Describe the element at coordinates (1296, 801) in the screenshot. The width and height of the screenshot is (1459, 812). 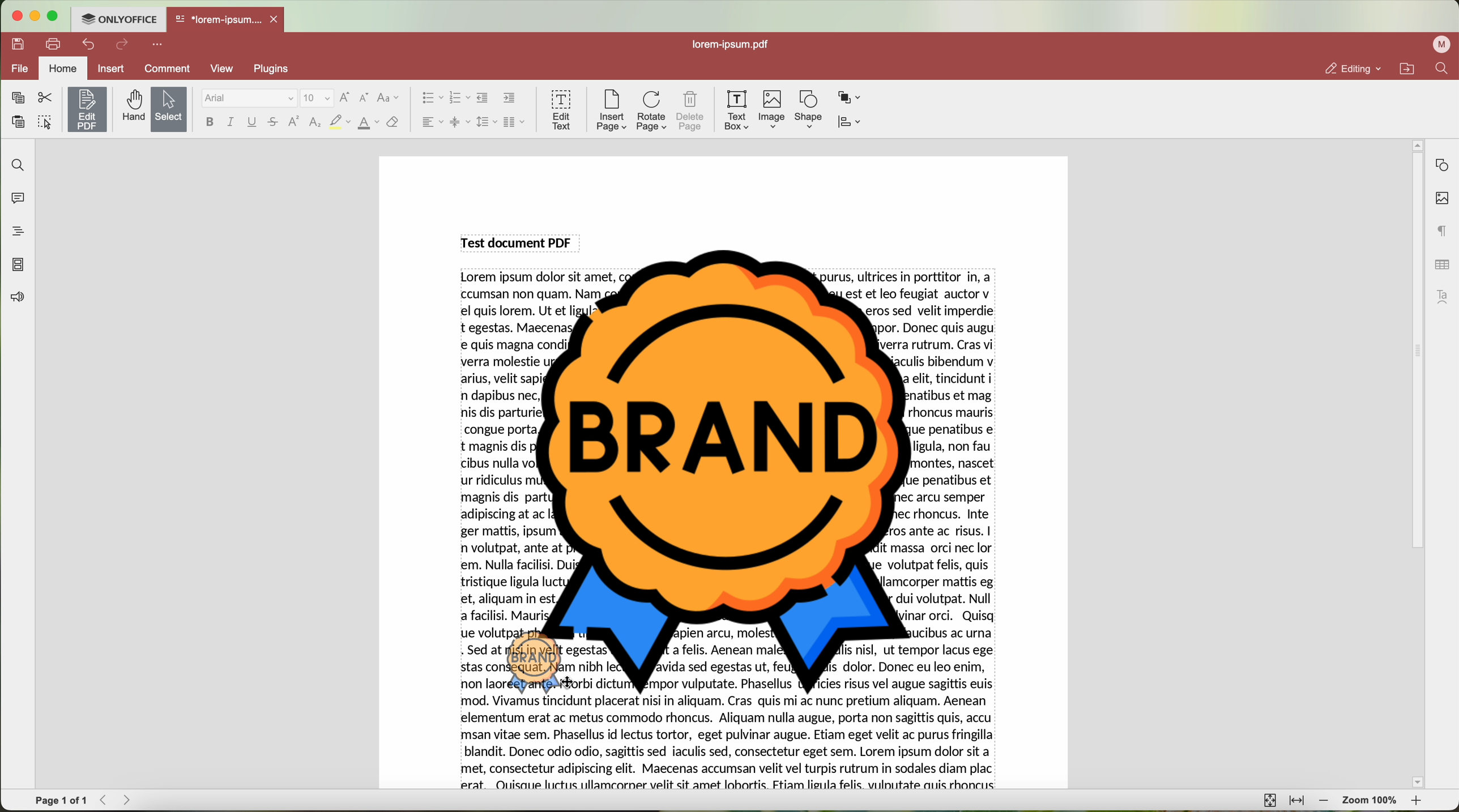
I see `fit to width` at that location.